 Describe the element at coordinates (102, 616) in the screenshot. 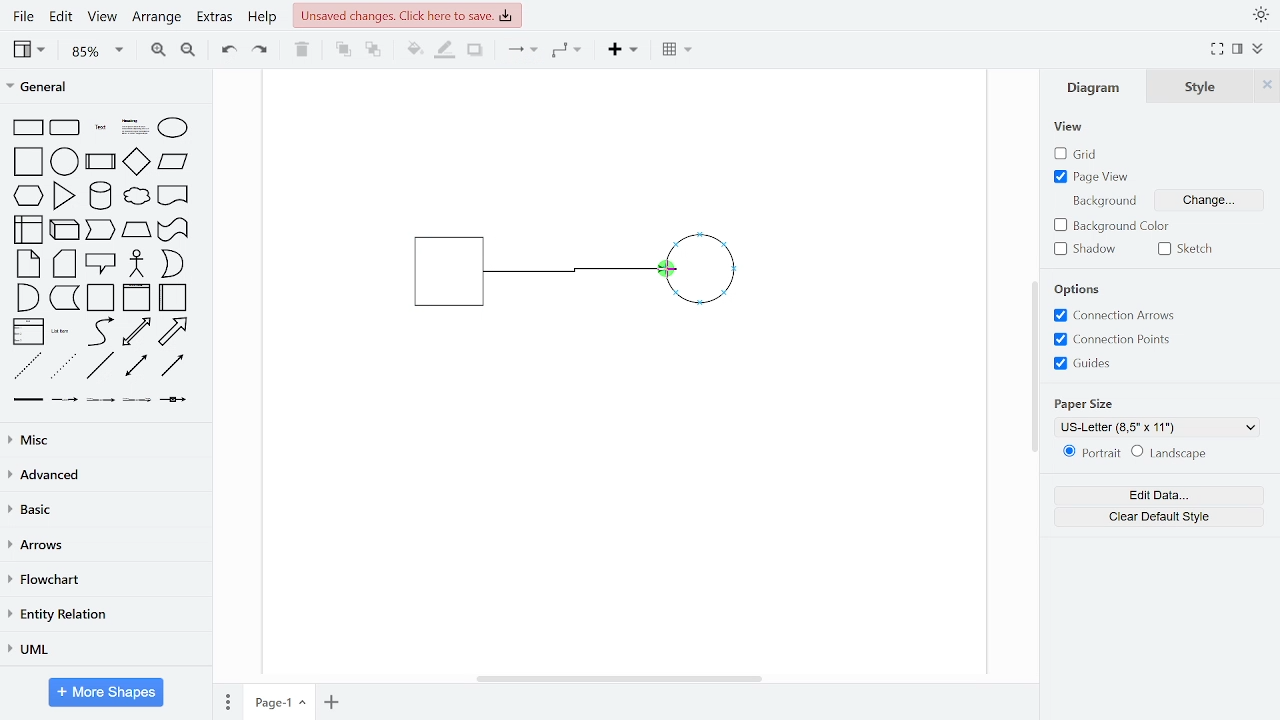

I see `entity relation` at that location.